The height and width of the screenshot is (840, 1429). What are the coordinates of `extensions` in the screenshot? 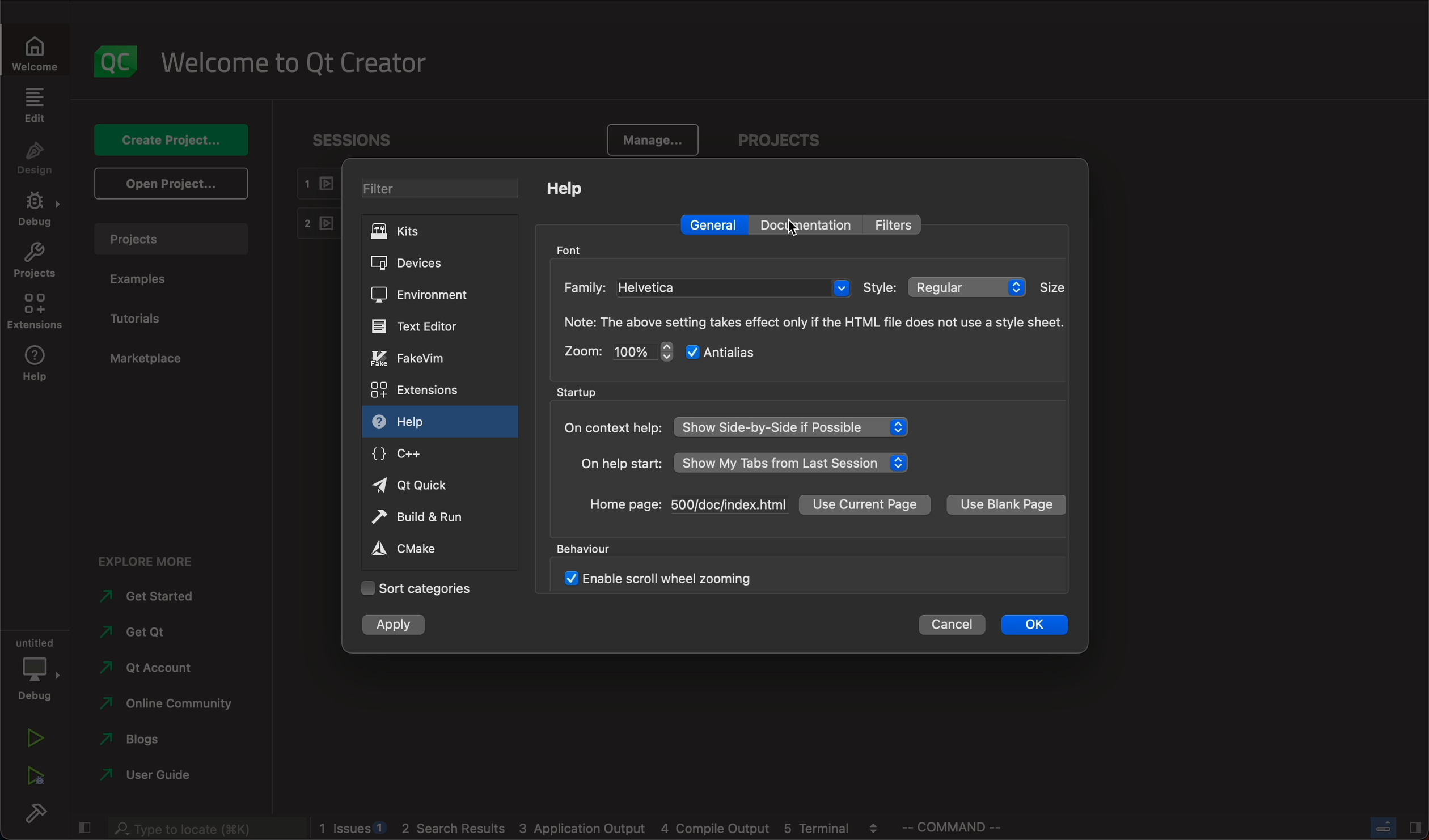 It's located at (417, 389).